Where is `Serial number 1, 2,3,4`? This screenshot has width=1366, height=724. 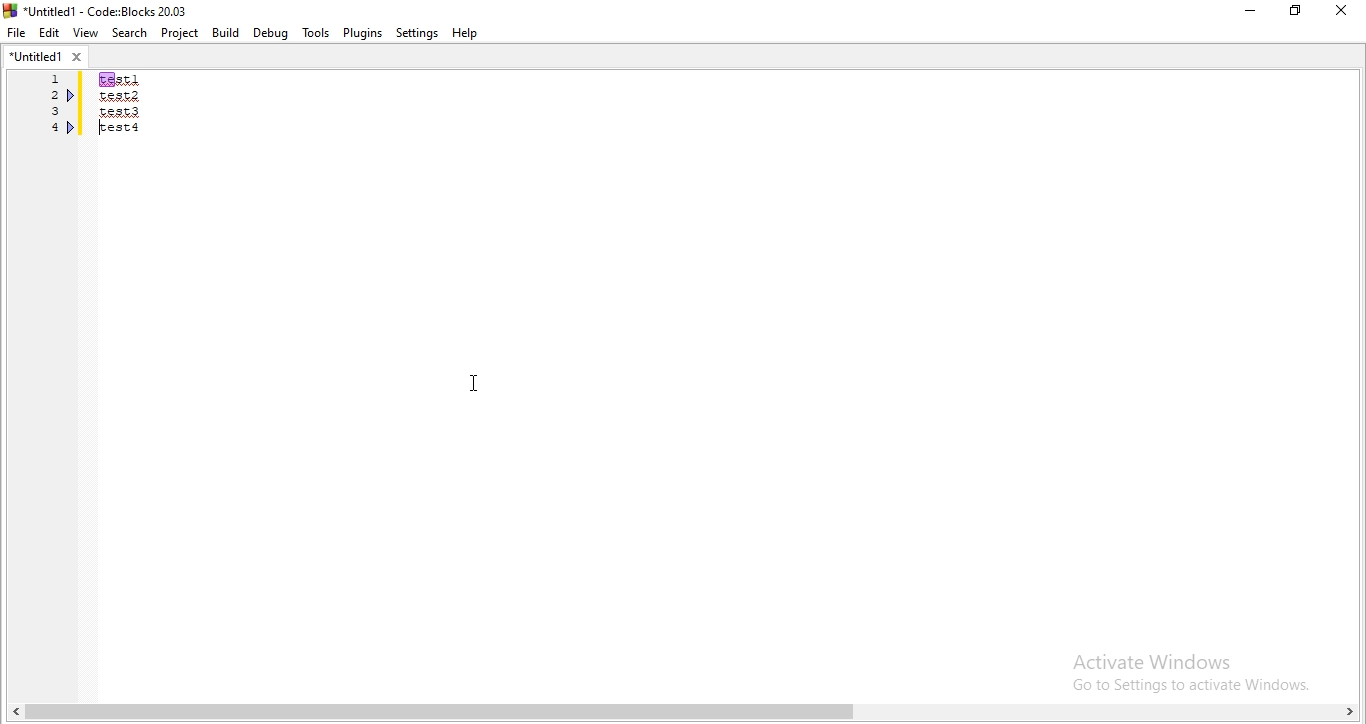 Serial number 1, 2,3,4 is located at coordinates (52, 107).